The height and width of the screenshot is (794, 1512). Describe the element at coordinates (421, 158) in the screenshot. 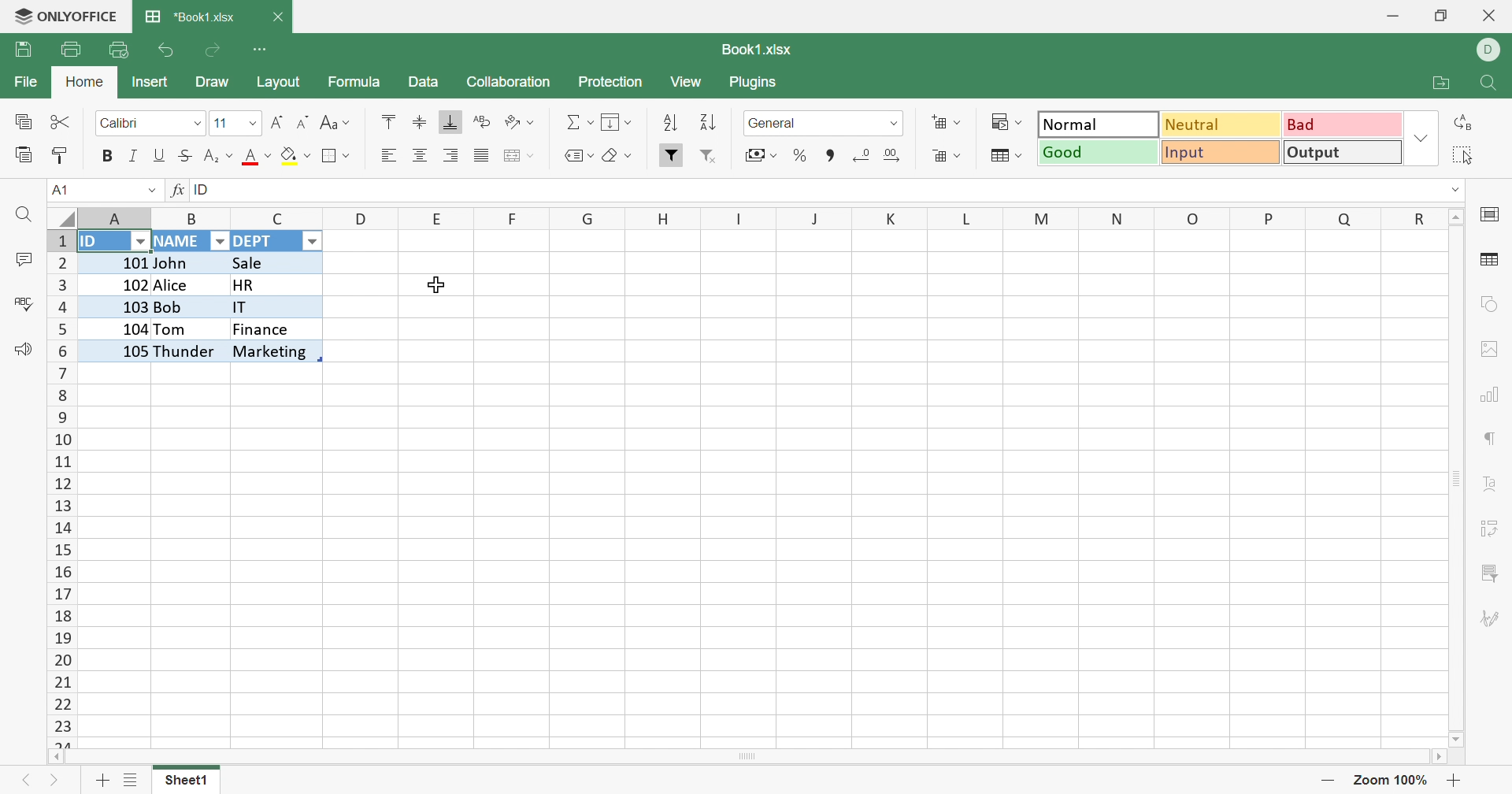

I see `Align Center` at that location.